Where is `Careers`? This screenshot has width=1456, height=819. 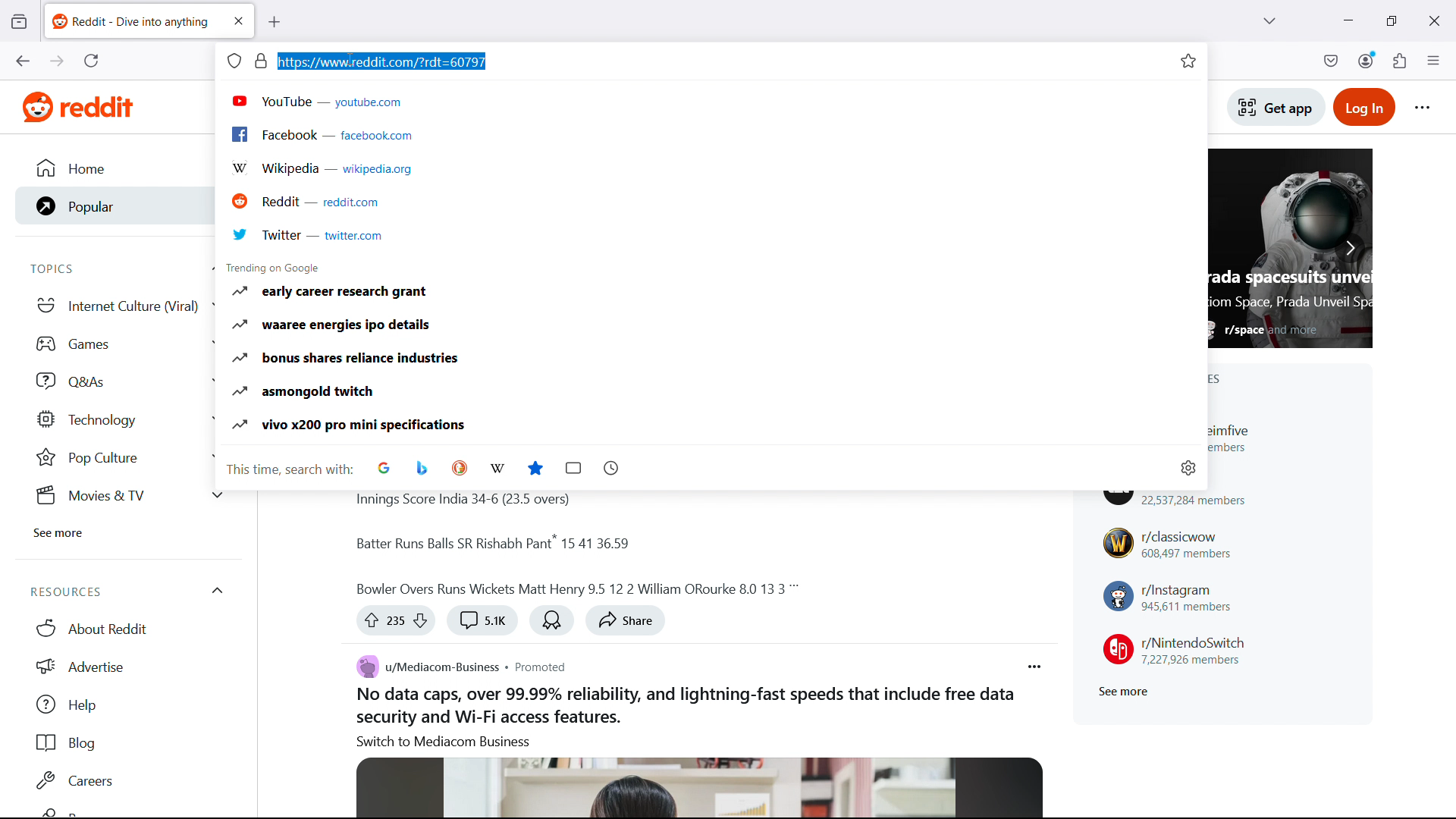
Careers is located at coordinates (126, 781).